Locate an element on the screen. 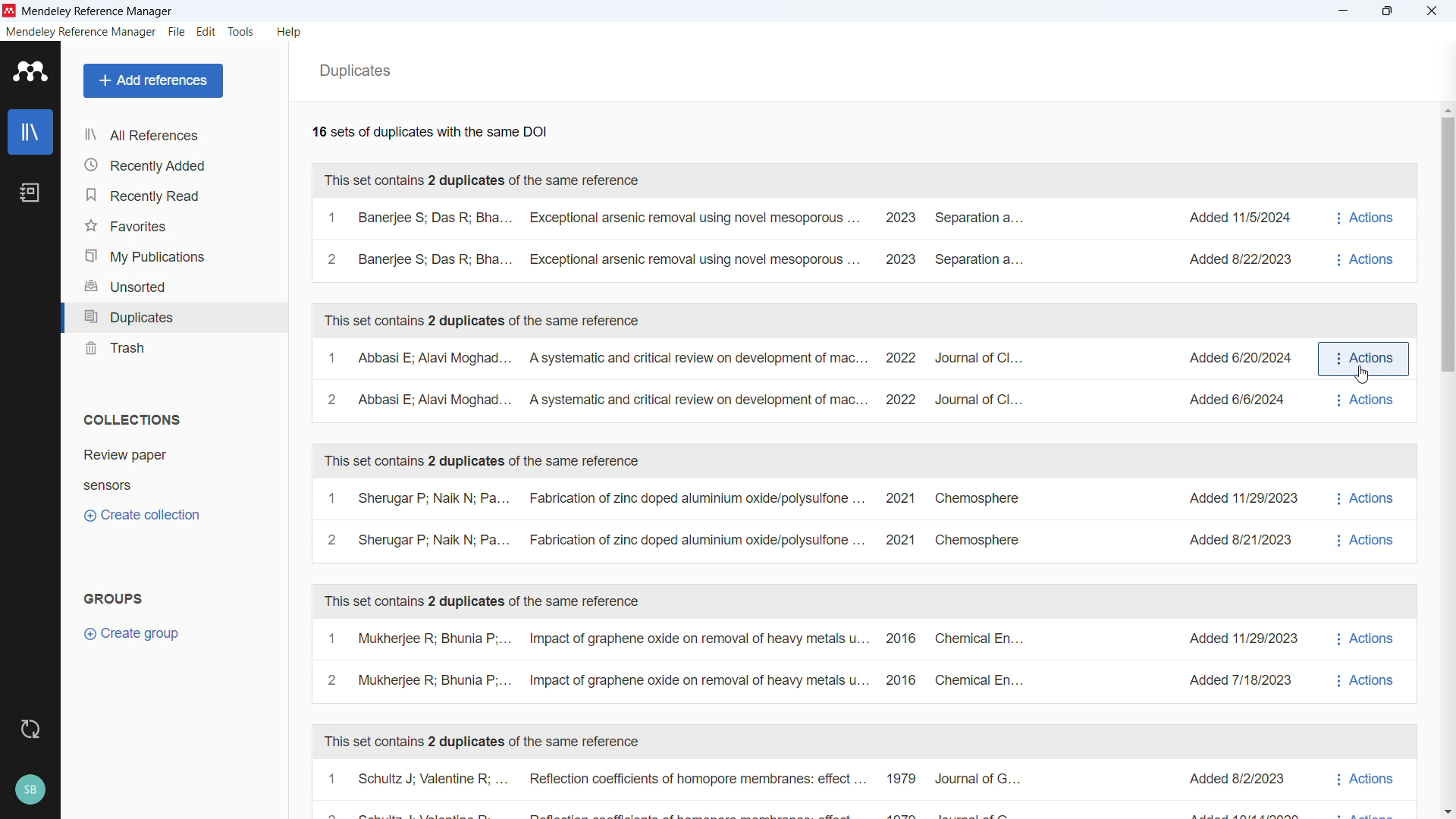 The height and width of the screenshot is (819, 1456). library is located at coordinates (30, 133).